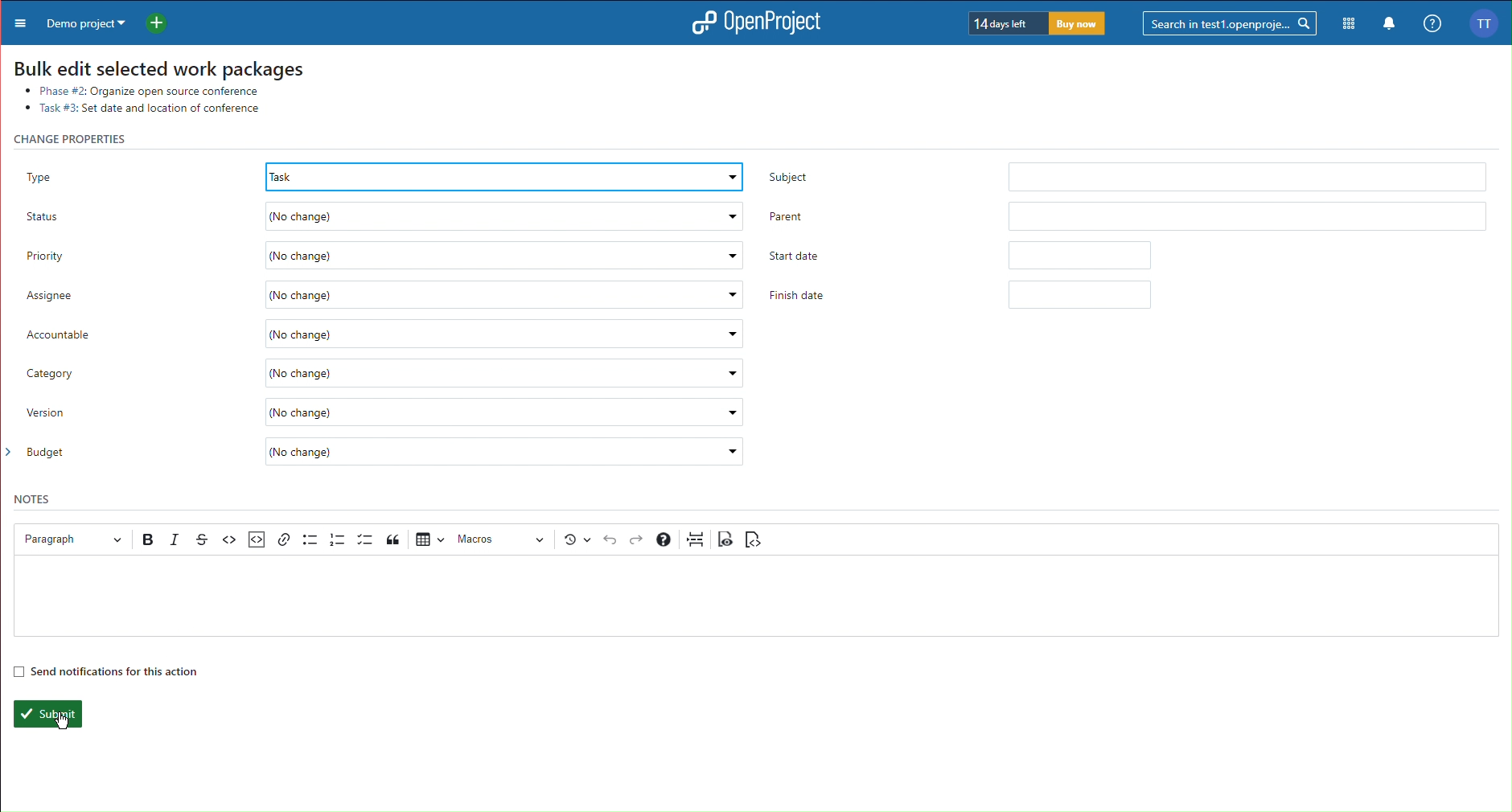  I want to click on More, so click(17, 22).